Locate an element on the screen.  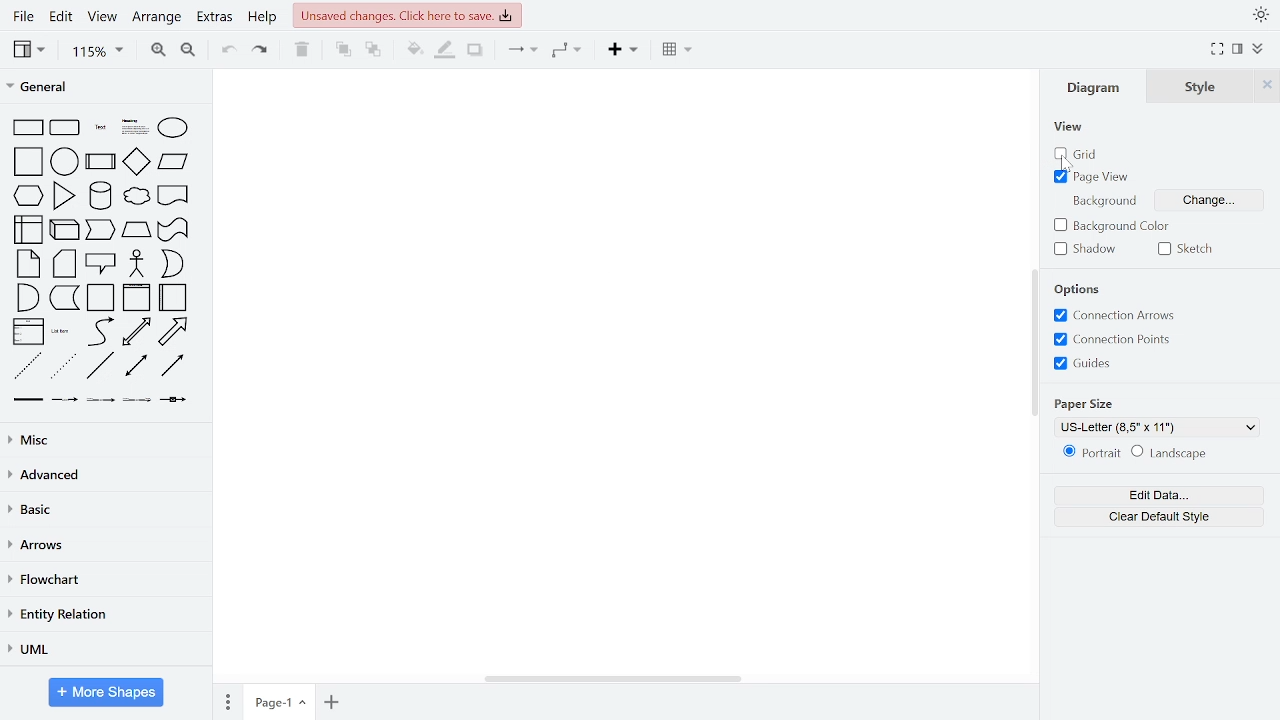
line is located at coordinates (102, 367).